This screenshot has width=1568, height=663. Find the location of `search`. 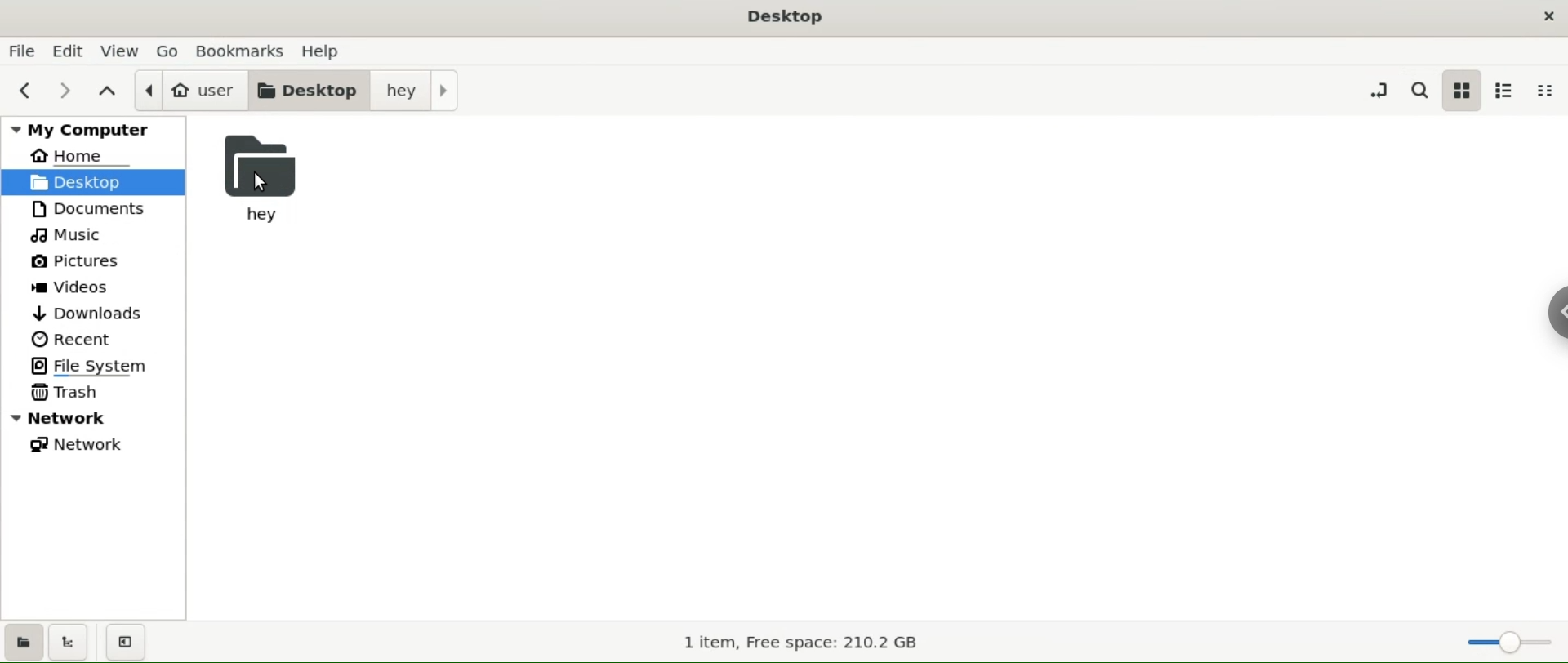

search is located at coordinates (1418, 89).